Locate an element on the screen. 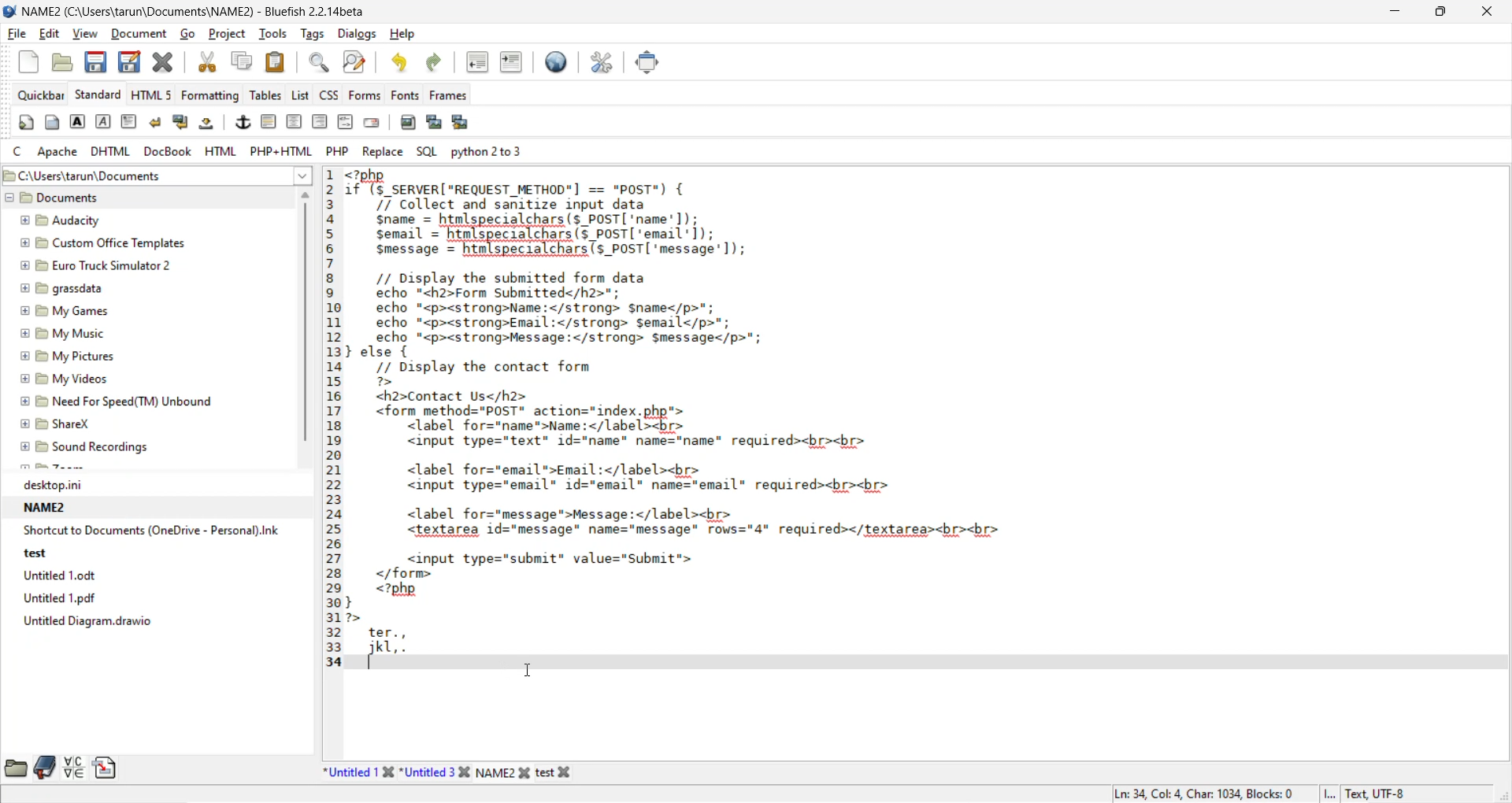  break is located at coordinates (155, 125).